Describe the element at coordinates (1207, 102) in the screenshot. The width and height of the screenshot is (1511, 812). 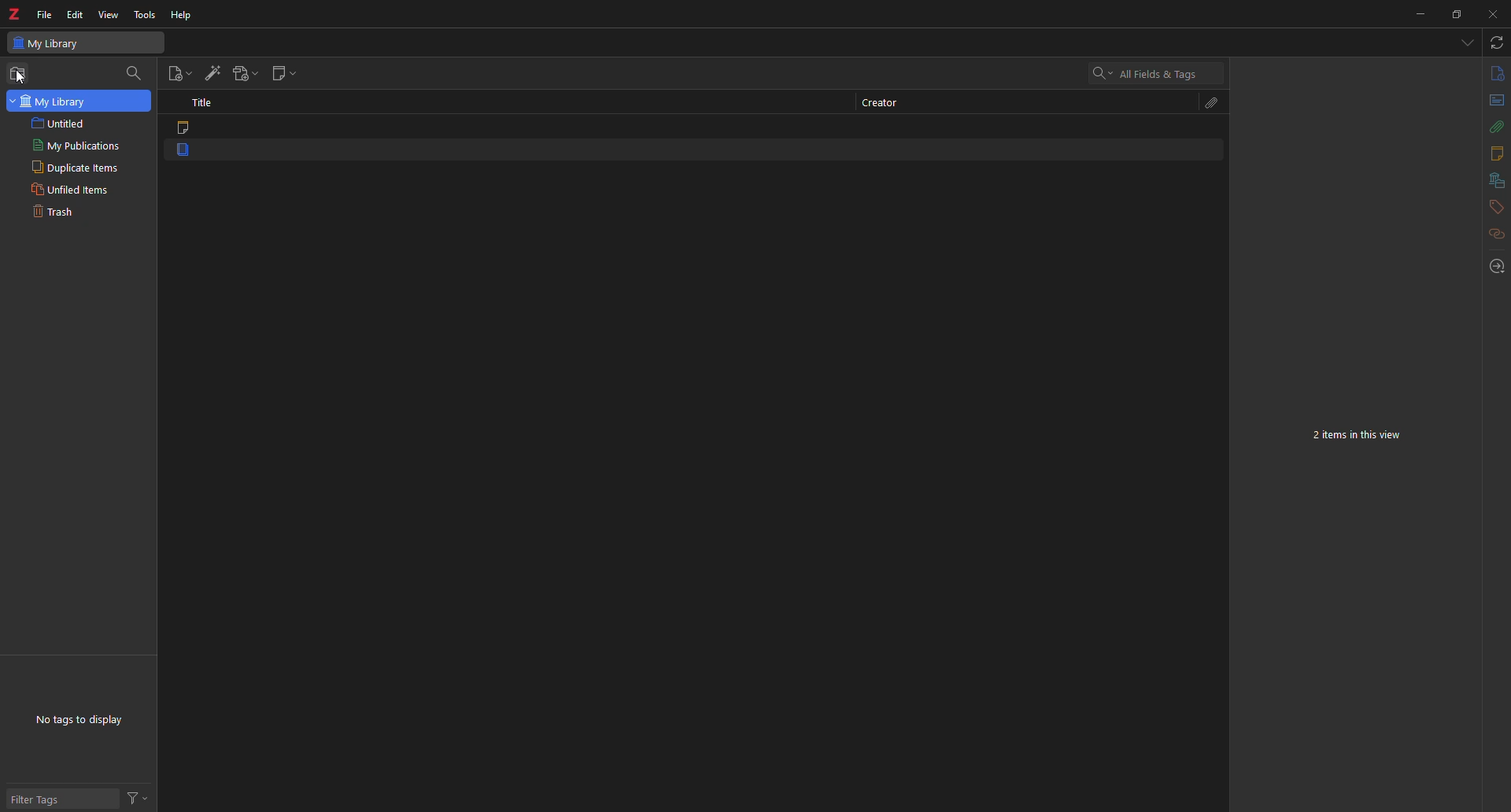
I see `attach` at that location.